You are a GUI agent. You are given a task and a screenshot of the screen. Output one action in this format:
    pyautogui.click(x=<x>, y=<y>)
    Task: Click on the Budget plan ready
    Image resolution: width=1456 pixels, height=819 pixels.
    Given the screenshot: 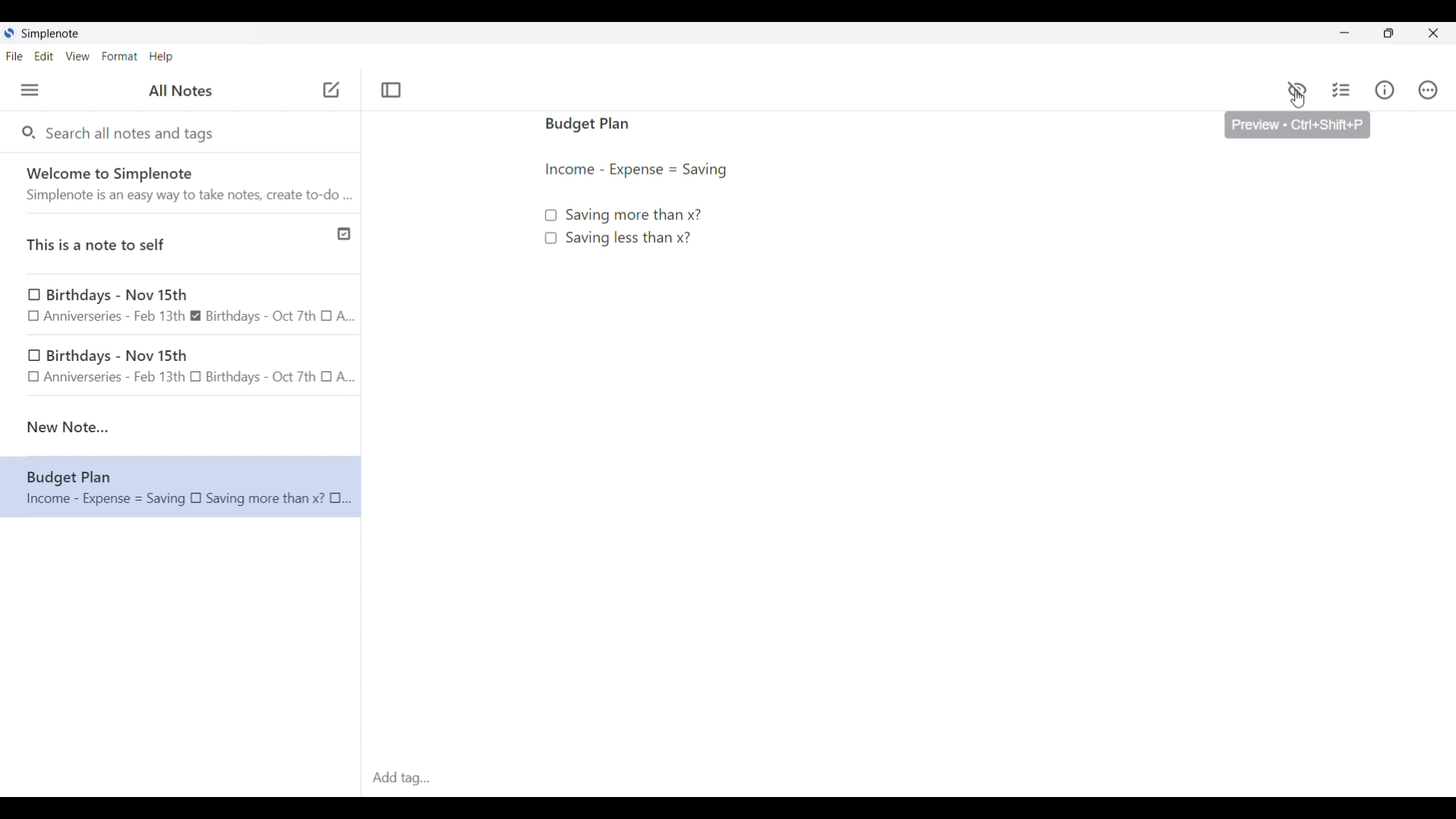 What is the action you would take?
    pyautogui.click(x=799, y=316)
    